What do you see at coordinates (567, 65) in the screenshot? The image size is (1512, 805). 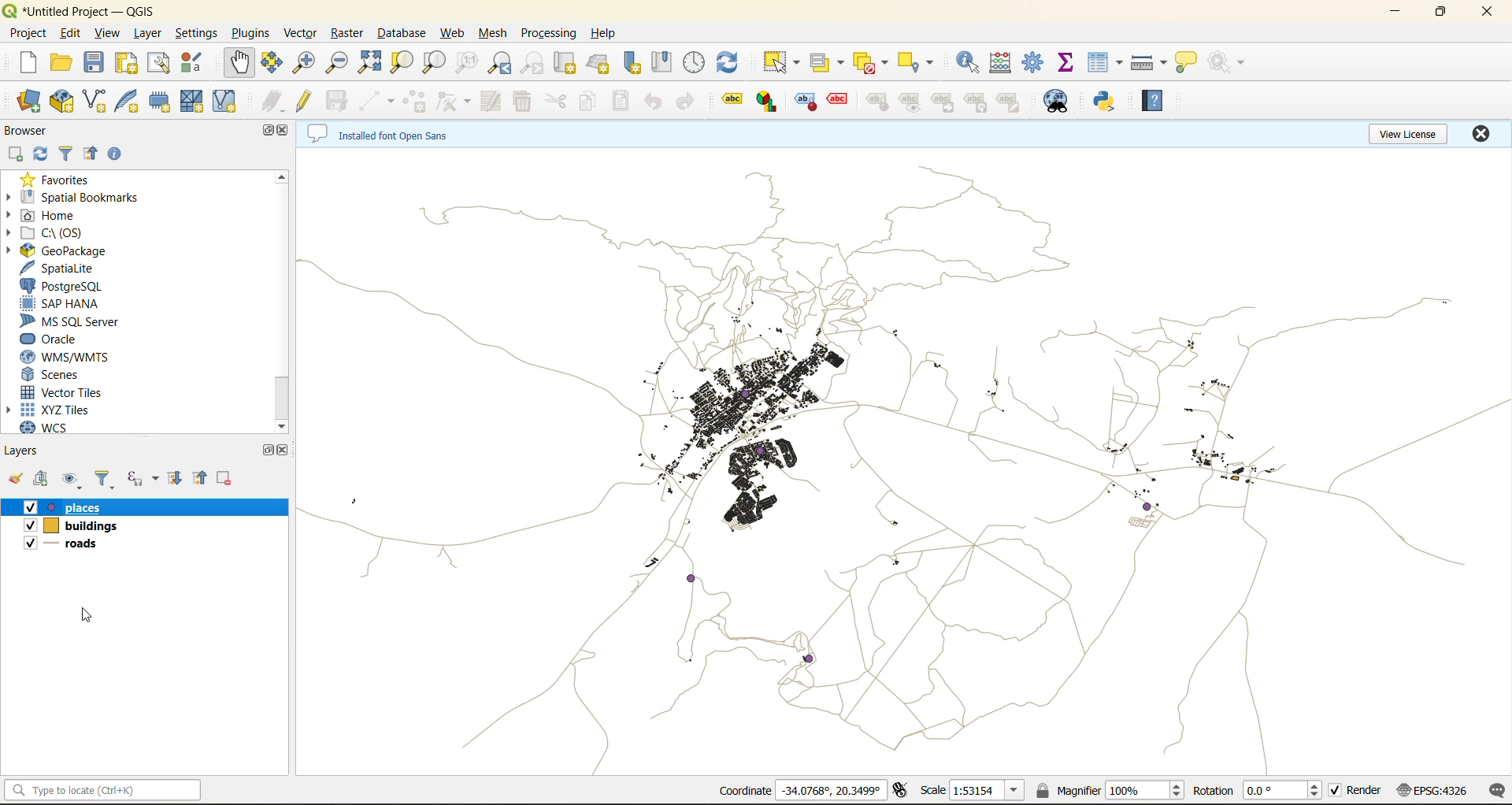 I see `new map view` at bounding box center [567, 65].